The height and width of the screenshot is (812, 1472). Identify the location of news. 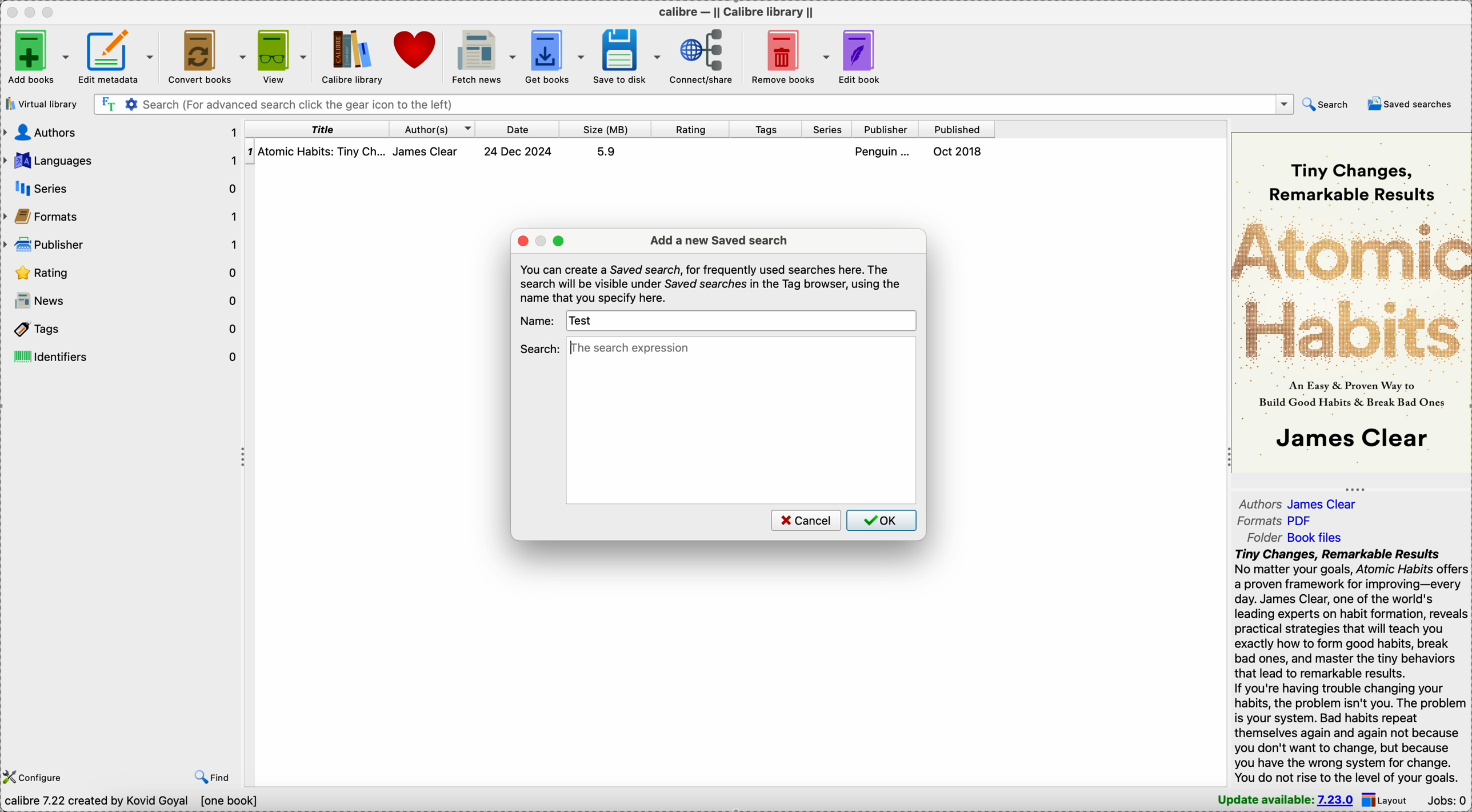
(122, 301).